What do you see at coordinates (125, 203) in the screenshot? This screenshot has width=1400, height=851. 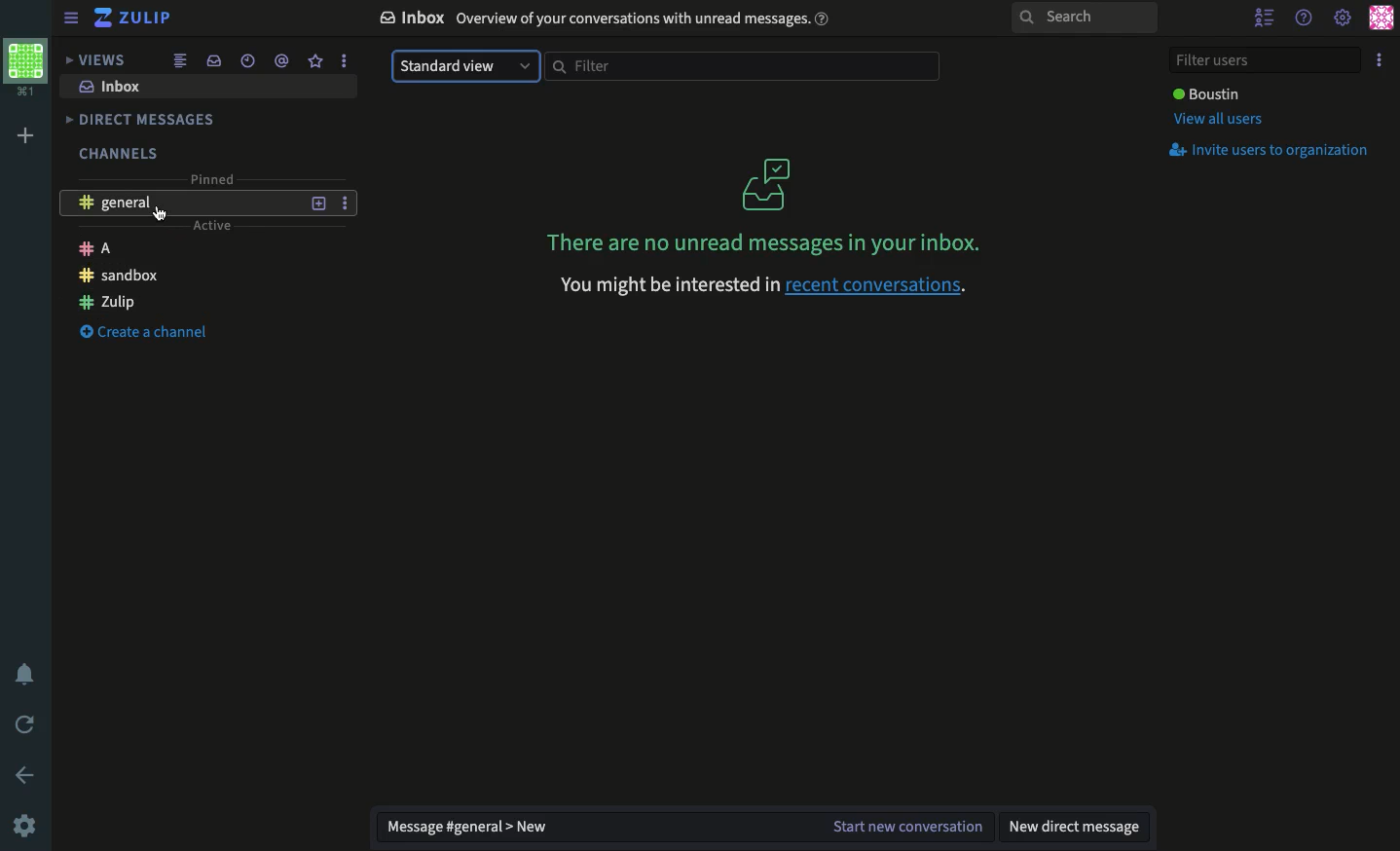 I see `General` at bounding box center [125, 203].